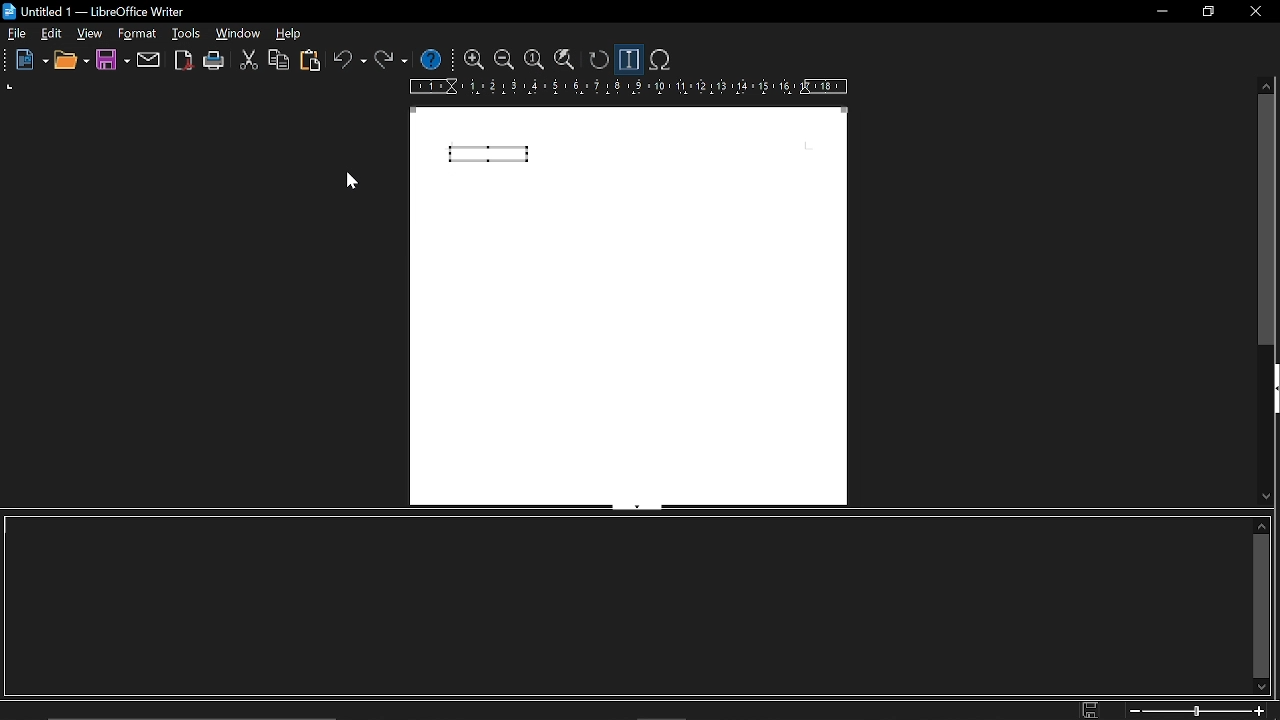  What do you see at coordinates (504, 60) in the screenshot?
I see `zoom out` at bounding box center [504, 60].